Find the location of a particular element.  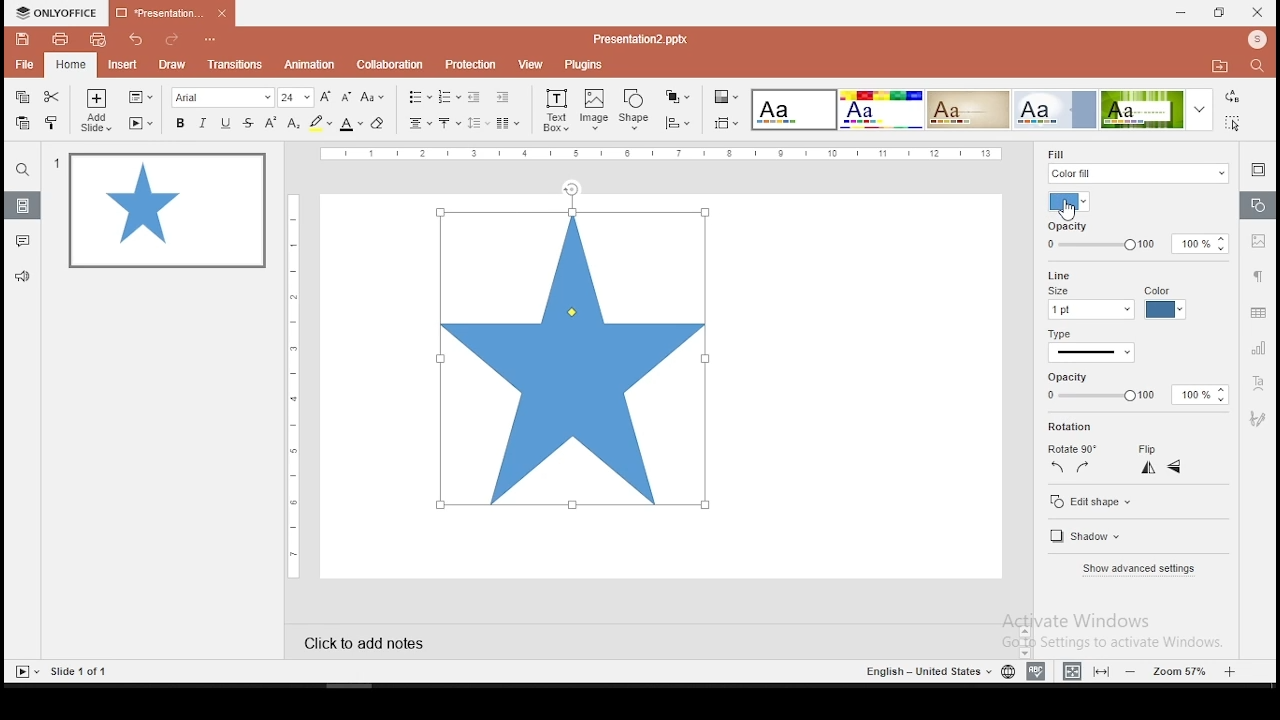

active shape is located at coordinates (573, 355).